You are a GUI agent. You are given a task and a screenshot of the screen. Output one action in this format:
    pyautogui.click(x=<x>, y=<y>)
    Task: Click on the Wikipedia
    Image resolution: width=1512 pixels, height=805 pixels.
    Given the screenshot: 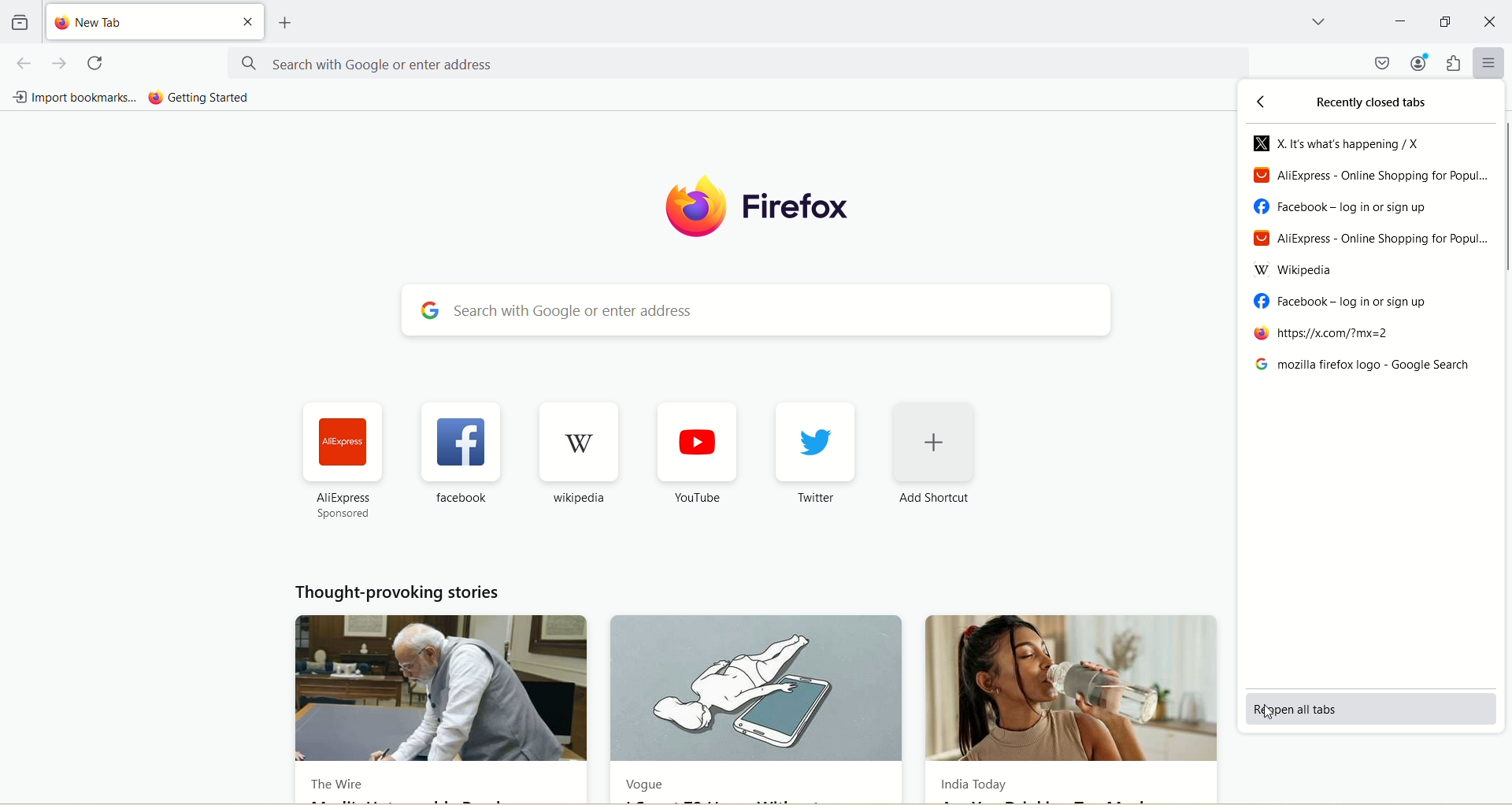 What is the action you would take?
    pyautogui.click(x=1373, y=275)
    